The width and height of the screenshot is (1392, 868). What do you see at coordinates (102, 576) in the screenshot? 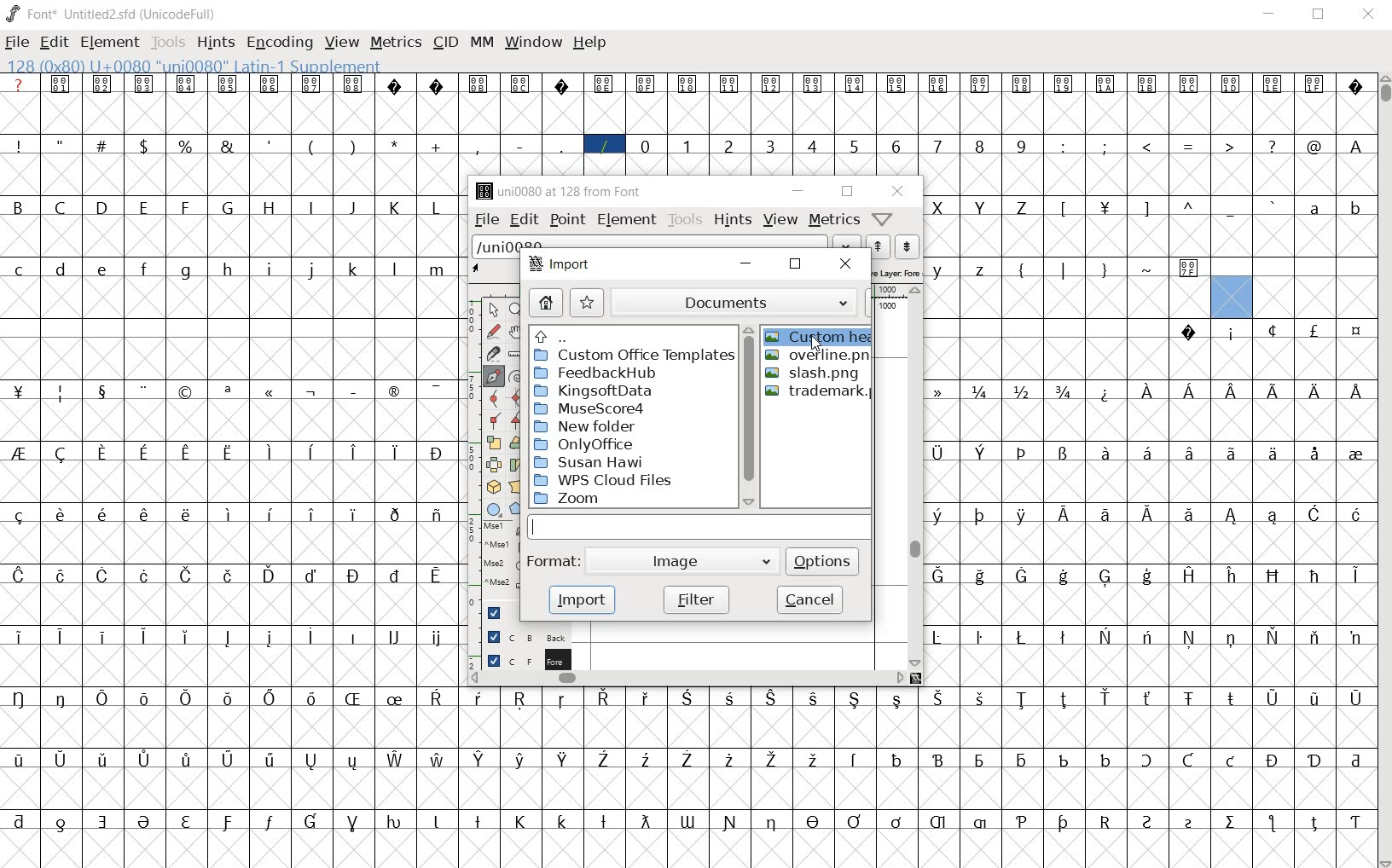
I see `glyph` at bounding box center [102, 576].